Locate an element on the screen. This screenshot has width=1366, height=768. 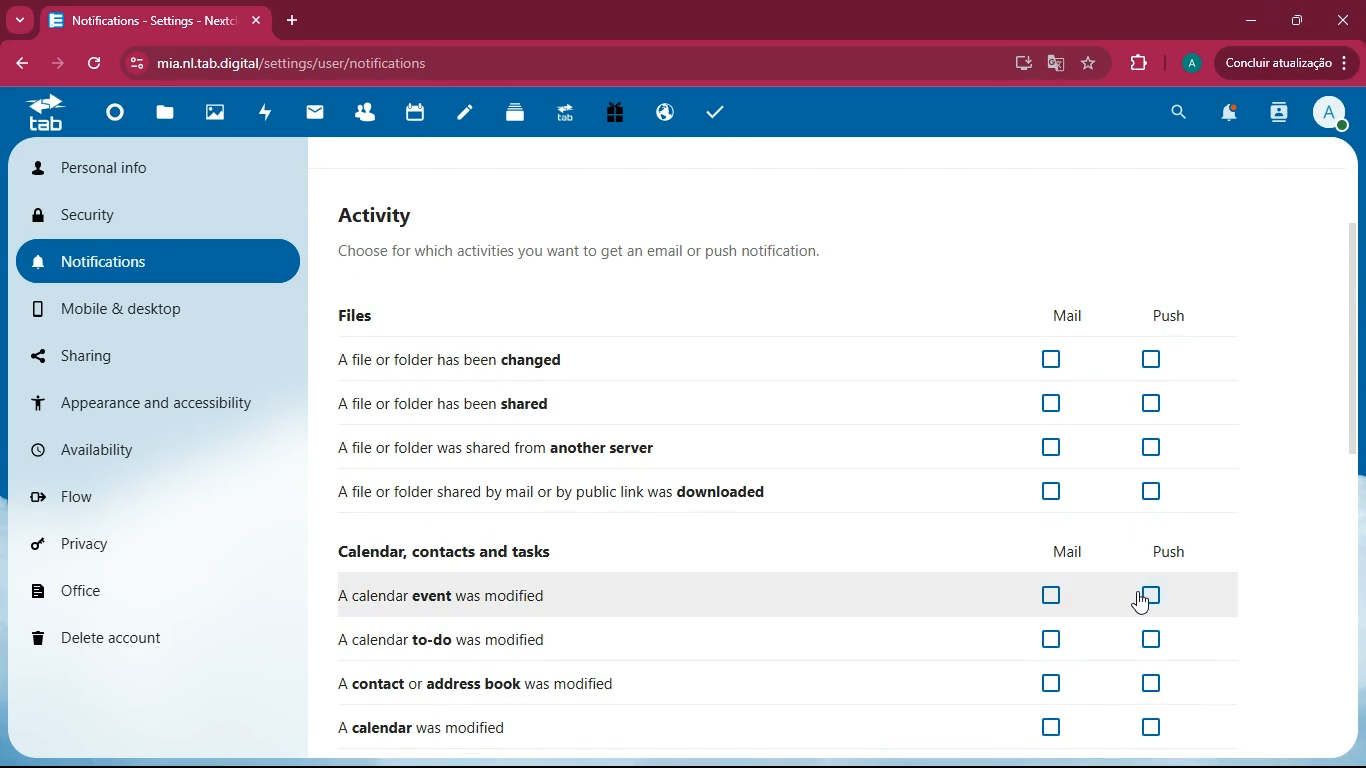
home is located at coordinates (111, 122).